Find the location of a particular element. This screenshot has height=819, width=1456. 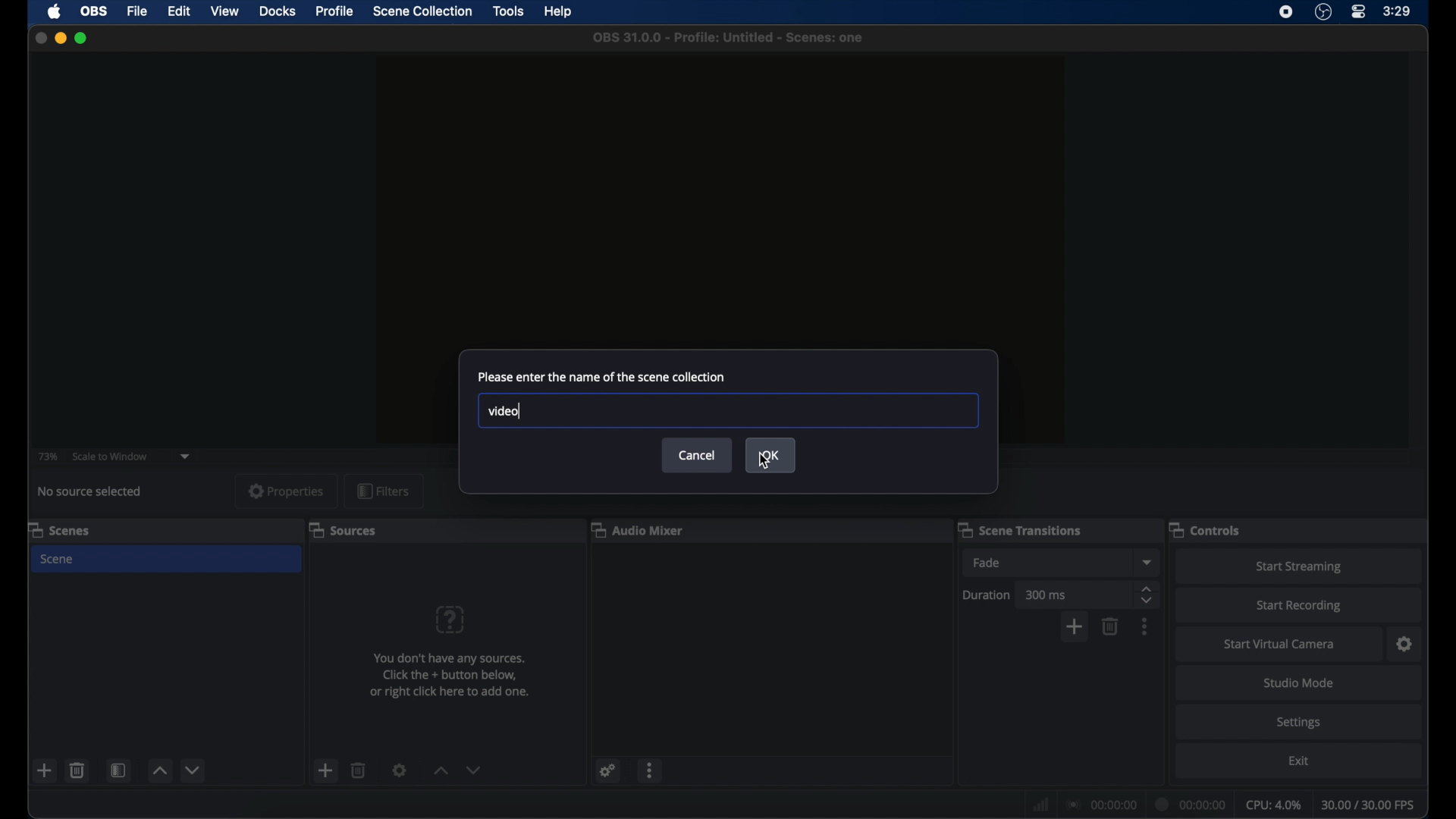

delete is located at coordinates (359, 770).